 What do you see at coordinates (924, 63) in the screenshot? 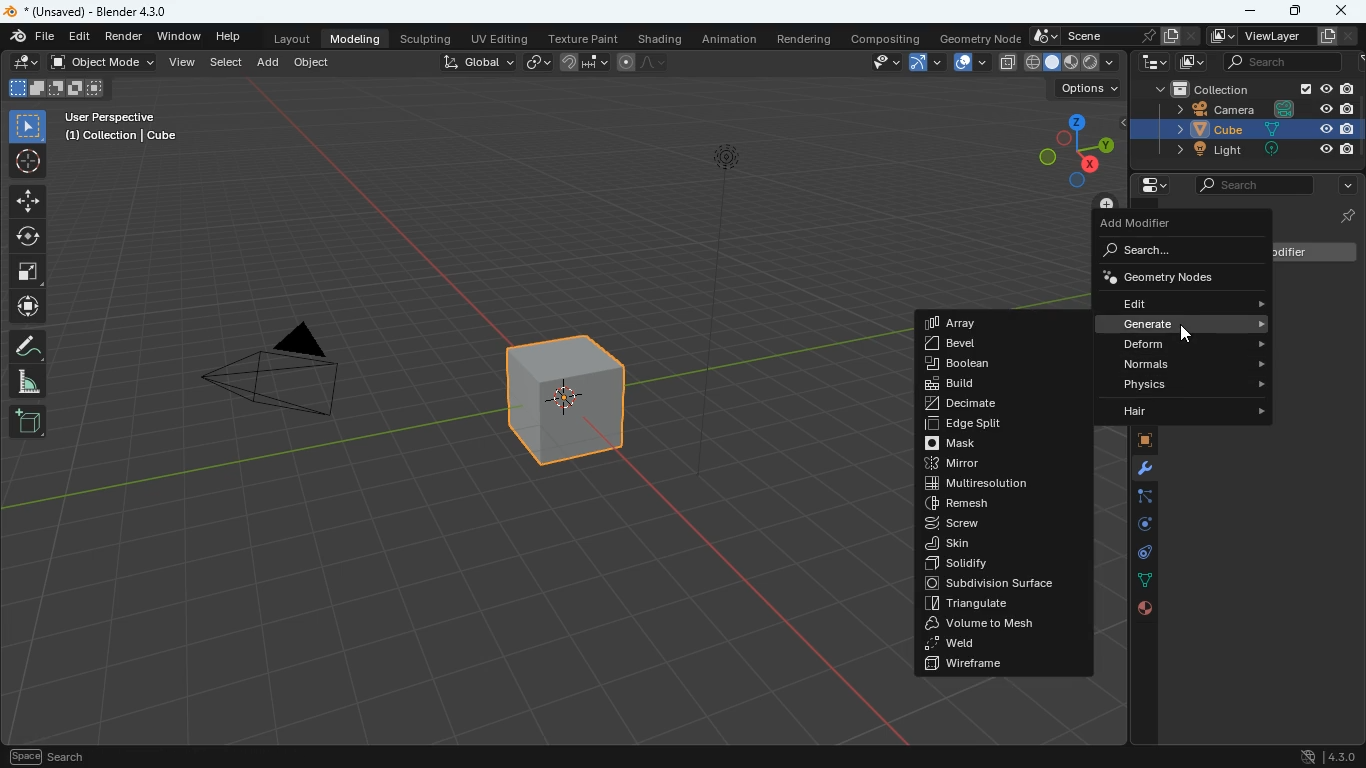
I see `arrow` at bounding box center [924, 63].